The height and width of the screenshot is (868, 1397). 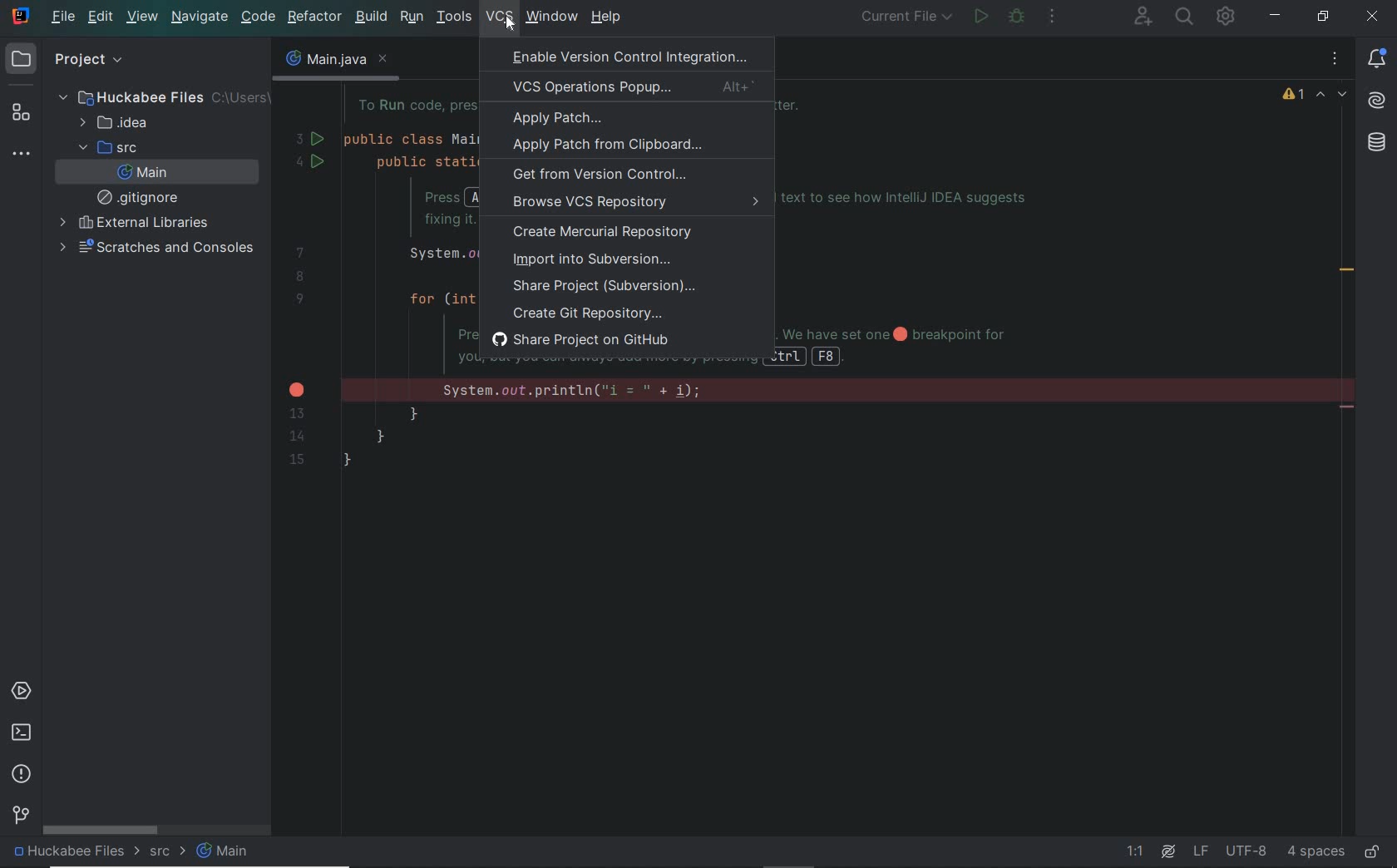 What do you see at coordinates (1227, 17) in the screenshot?
I see `IDE AND PROJECT SETTINGS` at bounding box center [1227, 17].